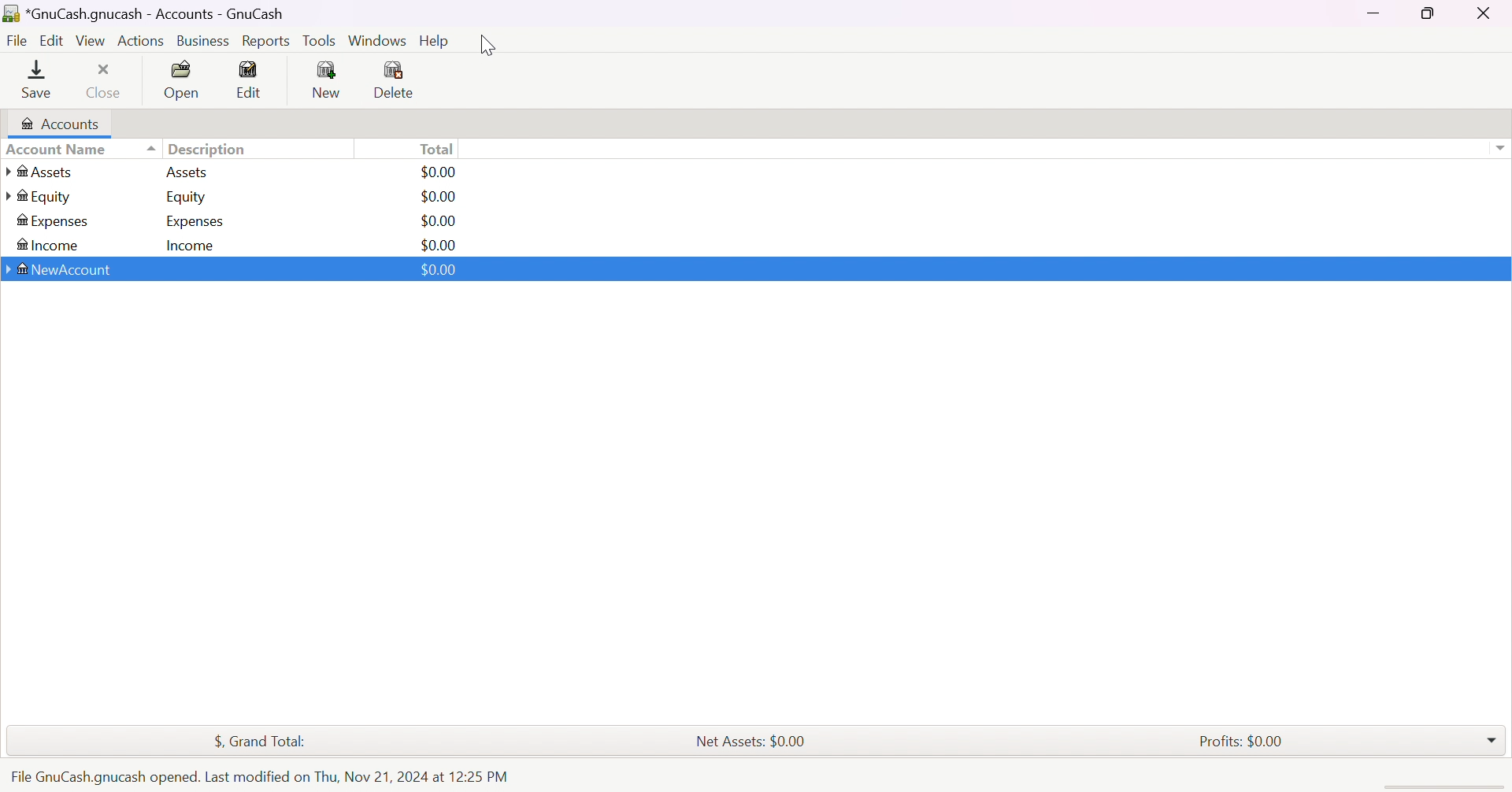  Describe the element at coordinates (437, 151) in the screenshot. I see `Total` at that location.